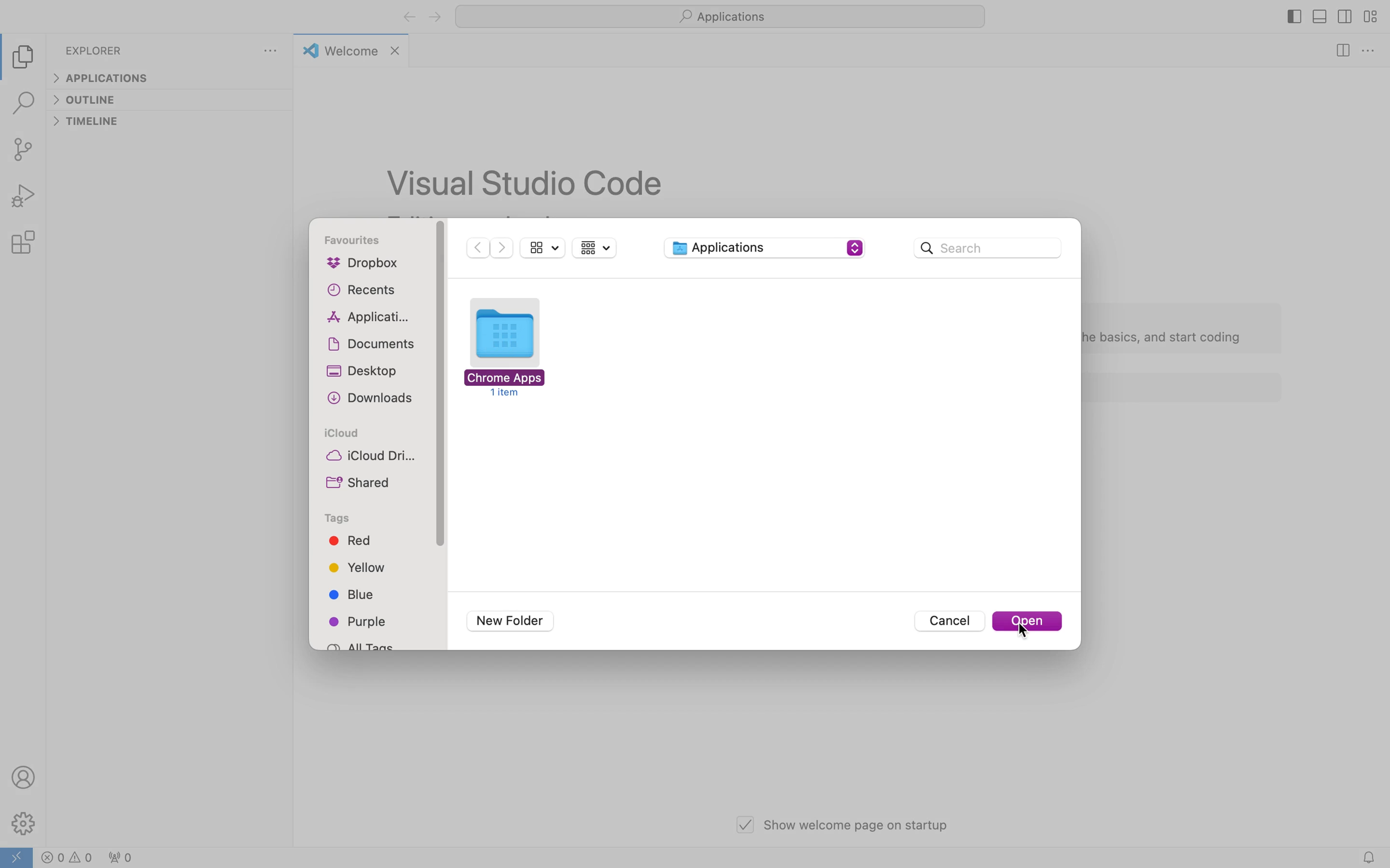  What do you see at coordinates (350, 541) in the screenshot?
I see `red tag` at bounding box center [350, 541].